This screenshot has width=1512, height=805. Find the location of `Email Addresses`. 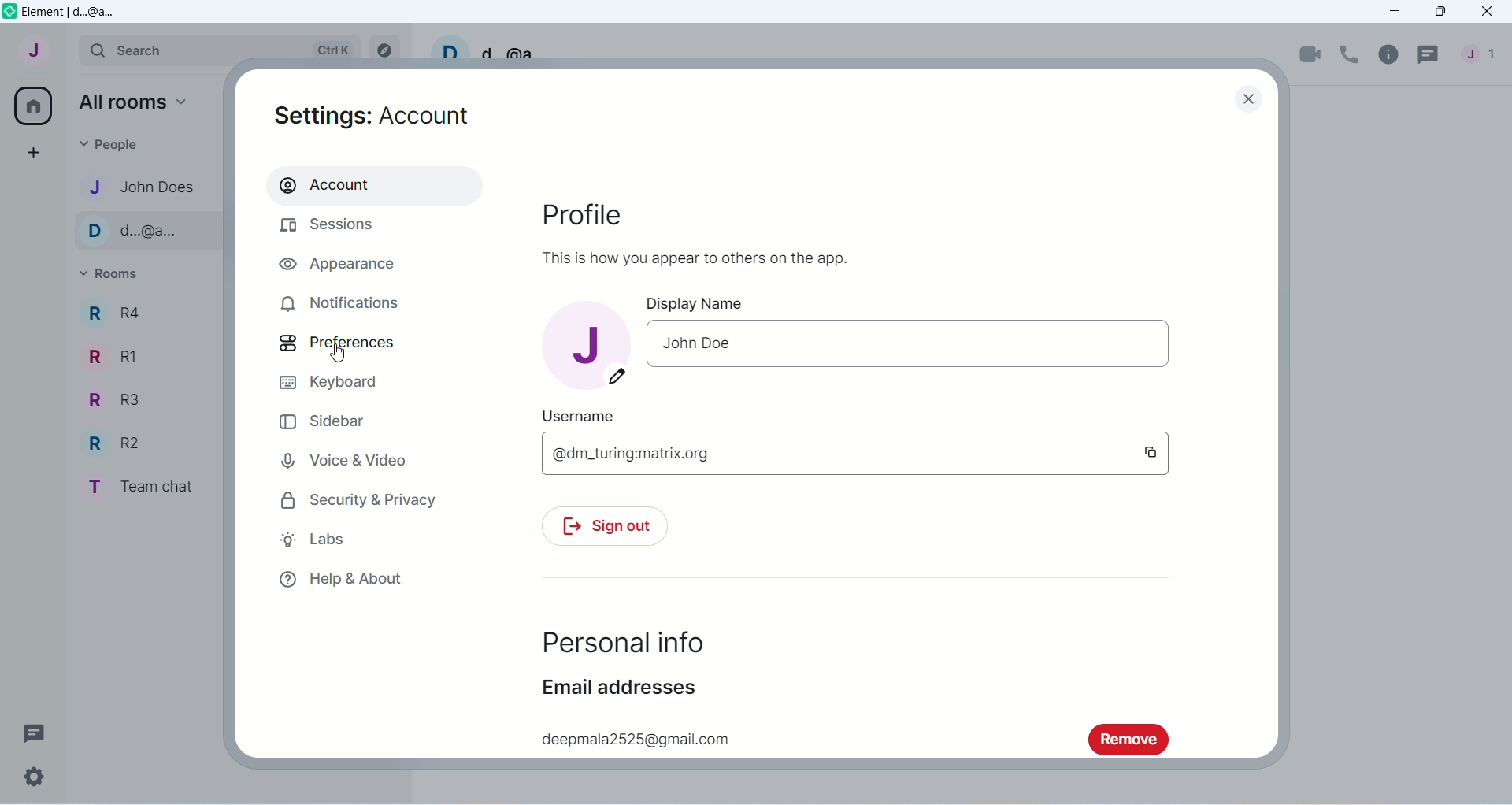

Email Addresses is located at coordinates (618, 685).